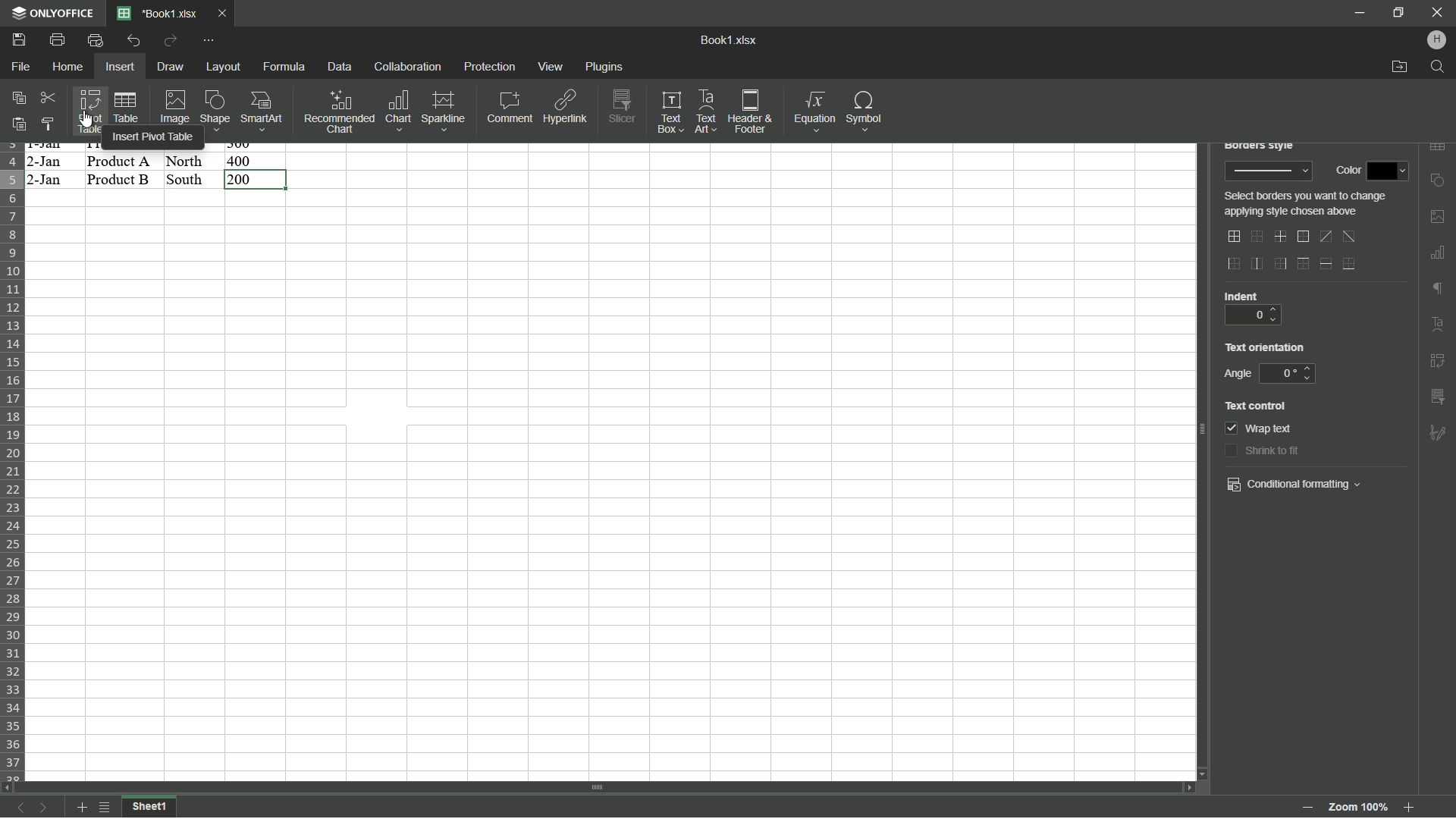 The width and height of the screenshot is (1456, 819). What do you see at coordinates (1325, 265) in the screenshot?
I see `horizontal inner line` at bounding box center [1325, 265].